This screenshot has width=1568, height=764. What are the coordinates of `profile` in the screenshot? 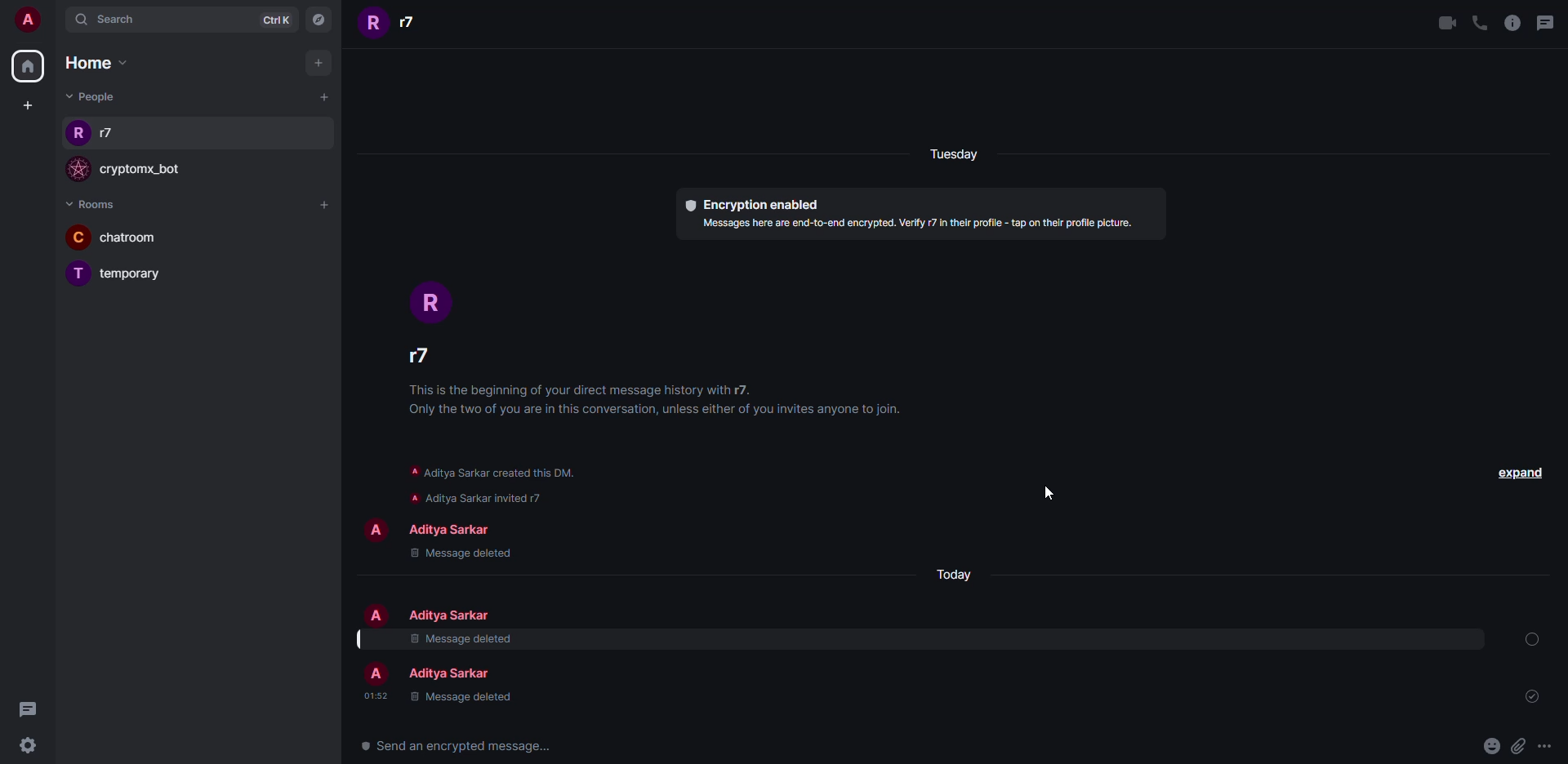 It's located at (76, 170).